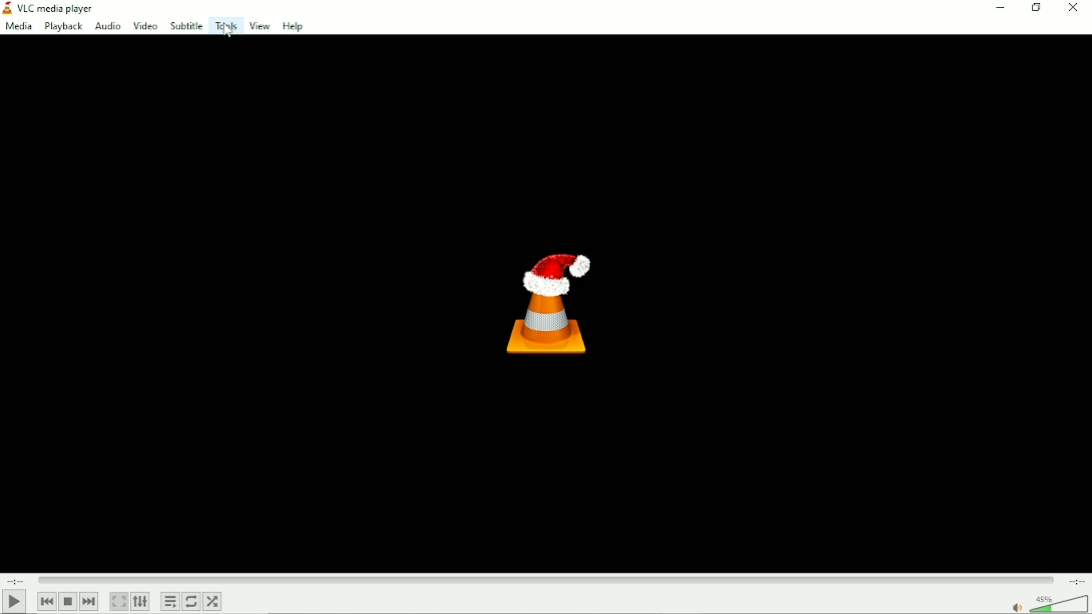  I want to click on Logo, so click(547, 302).